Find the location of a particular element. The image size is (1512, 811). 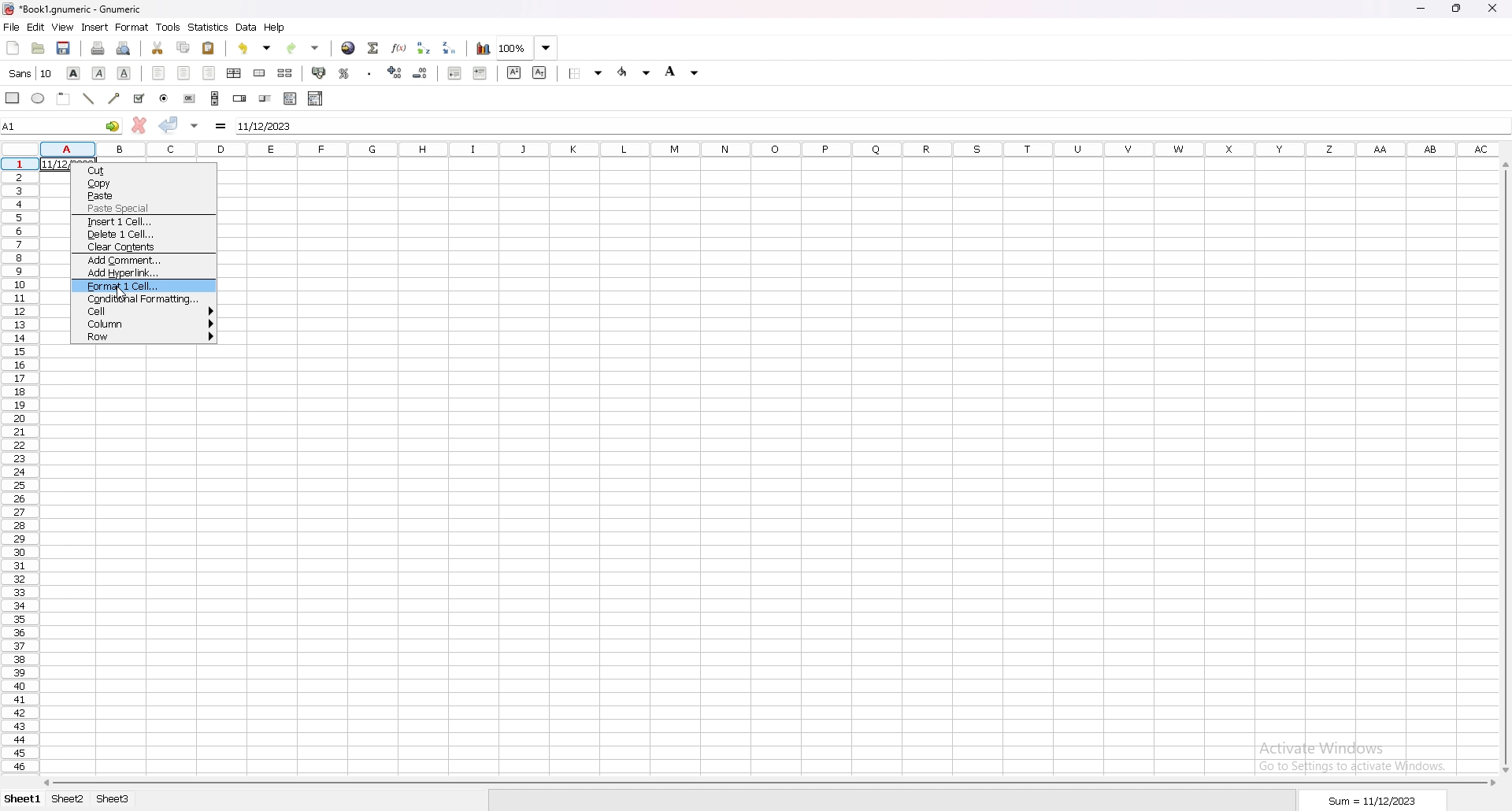

hyperlink is located at coordinates (349, 48).